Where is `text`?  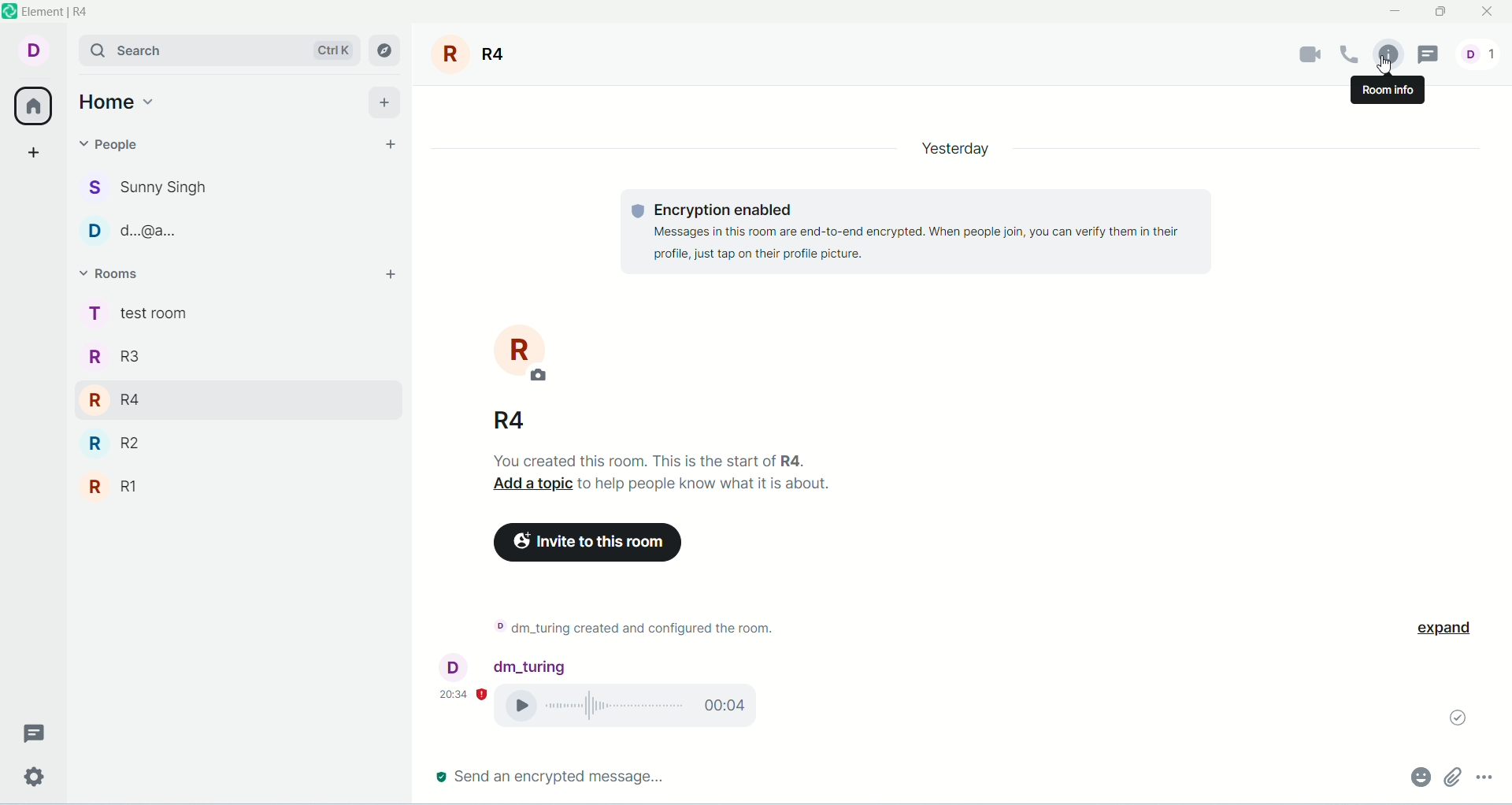
text is located at coordinates (914, 235).